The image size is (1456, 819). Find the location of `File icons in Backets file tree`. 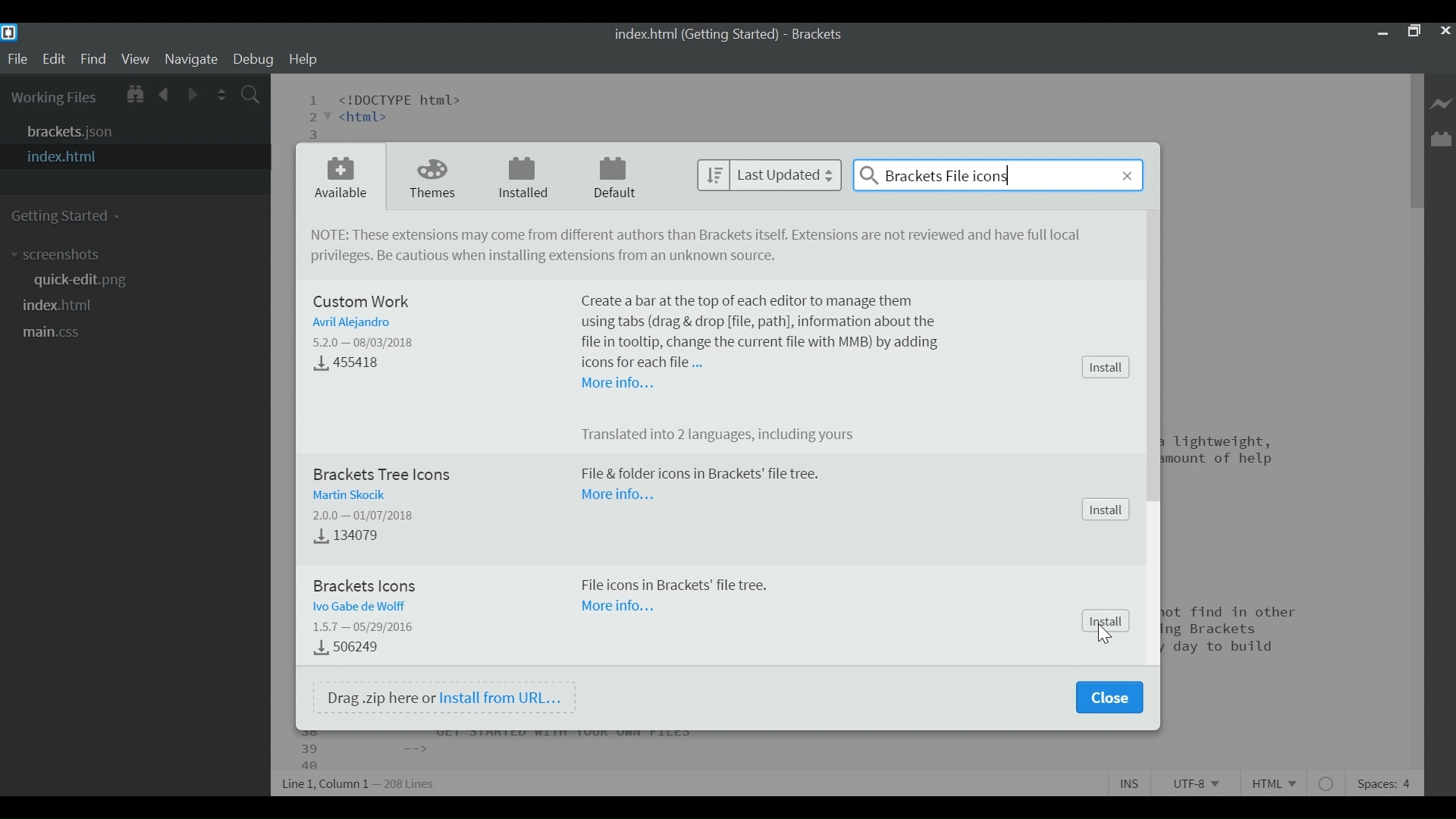

File icons in Backets file tree is located at coordinates (676, 586).